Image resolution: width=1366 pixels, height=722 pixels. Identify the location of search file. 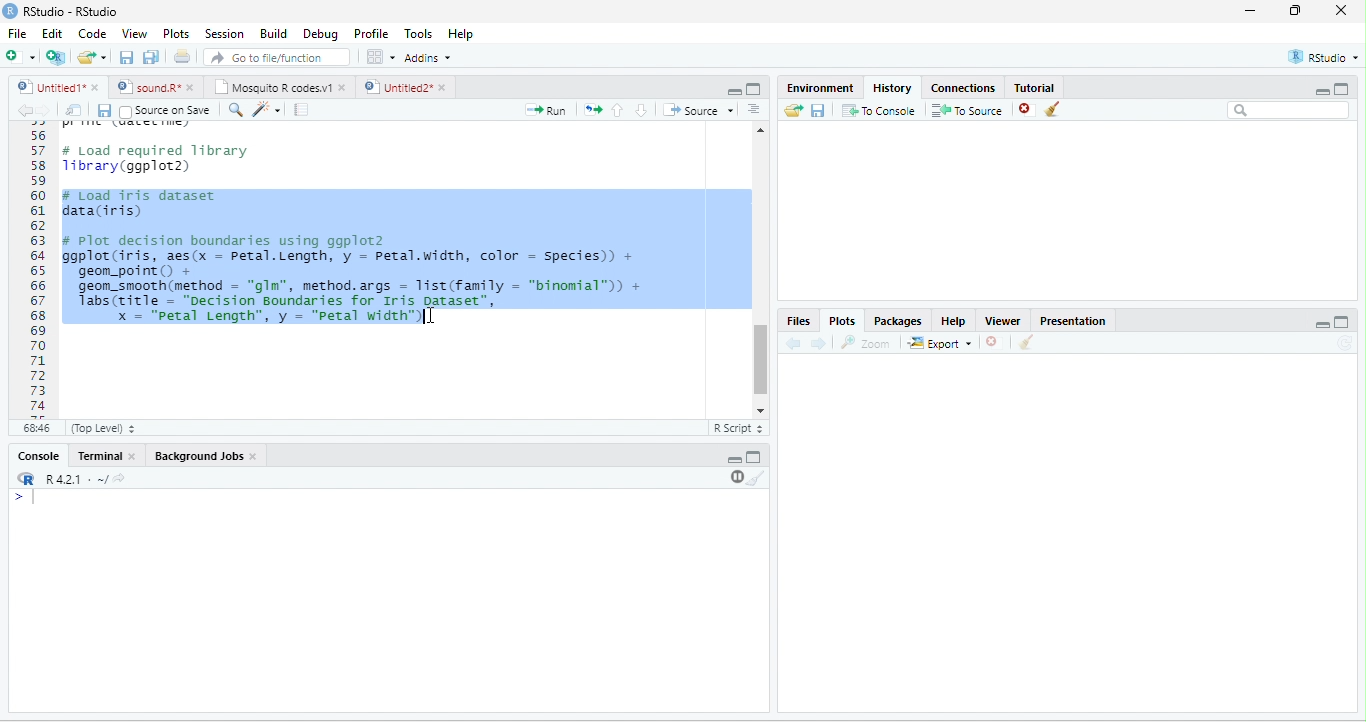
(278, 57).